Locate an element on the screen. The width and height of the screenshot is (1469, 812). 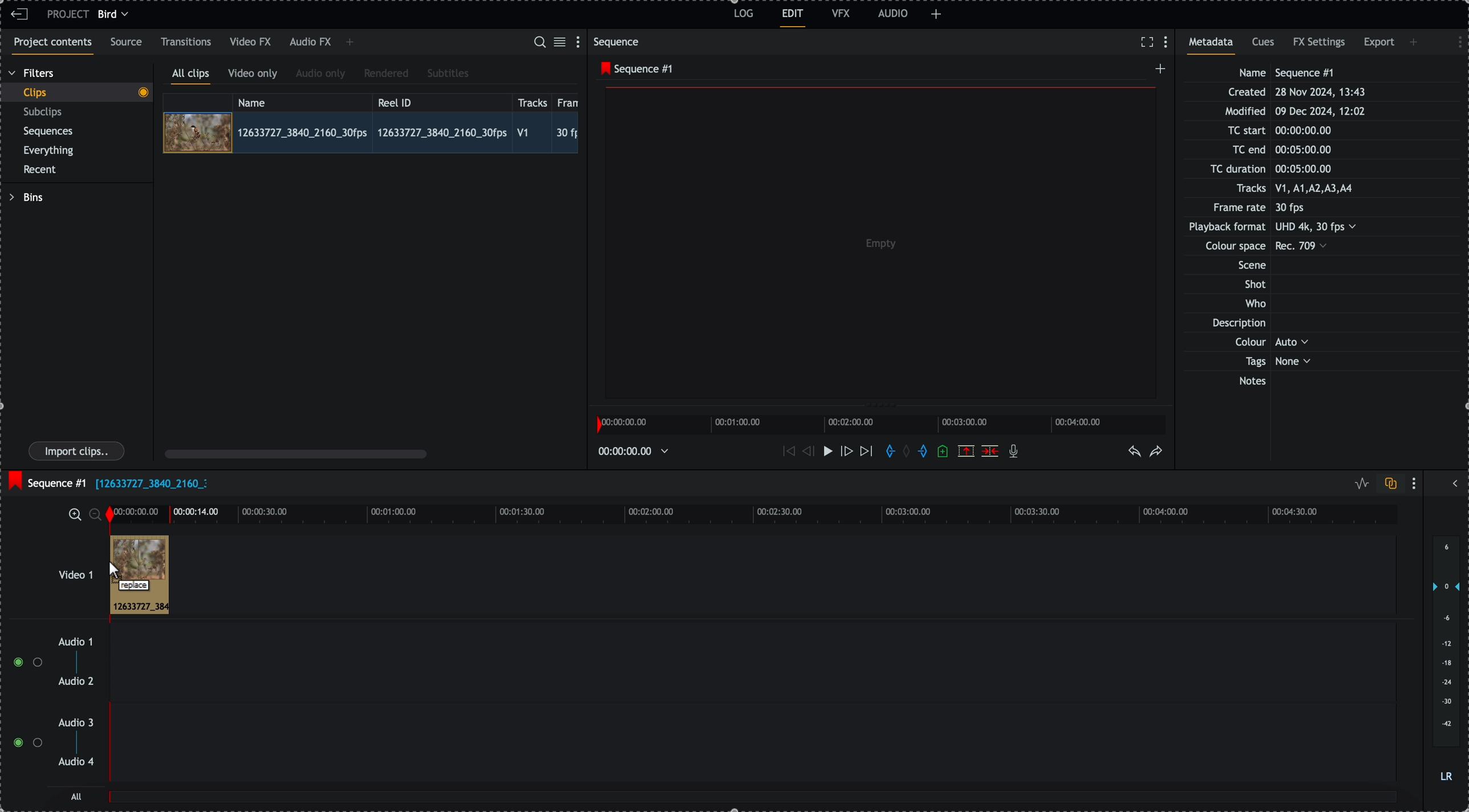
zoom in is located at coordinates (74, 514).